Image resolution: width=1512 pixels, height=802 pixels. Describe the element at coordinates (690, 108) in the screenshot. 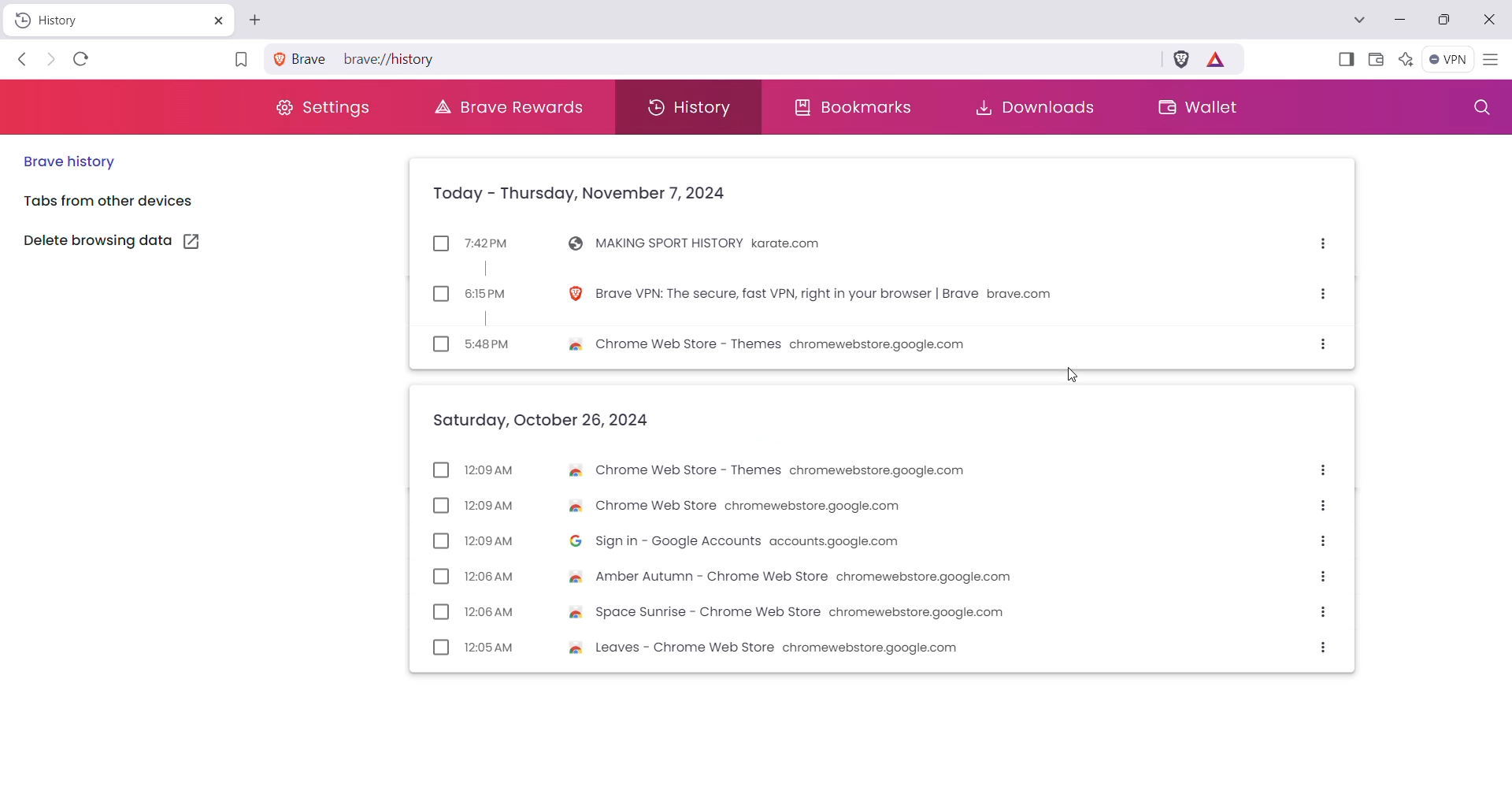

I see `History` at that location.